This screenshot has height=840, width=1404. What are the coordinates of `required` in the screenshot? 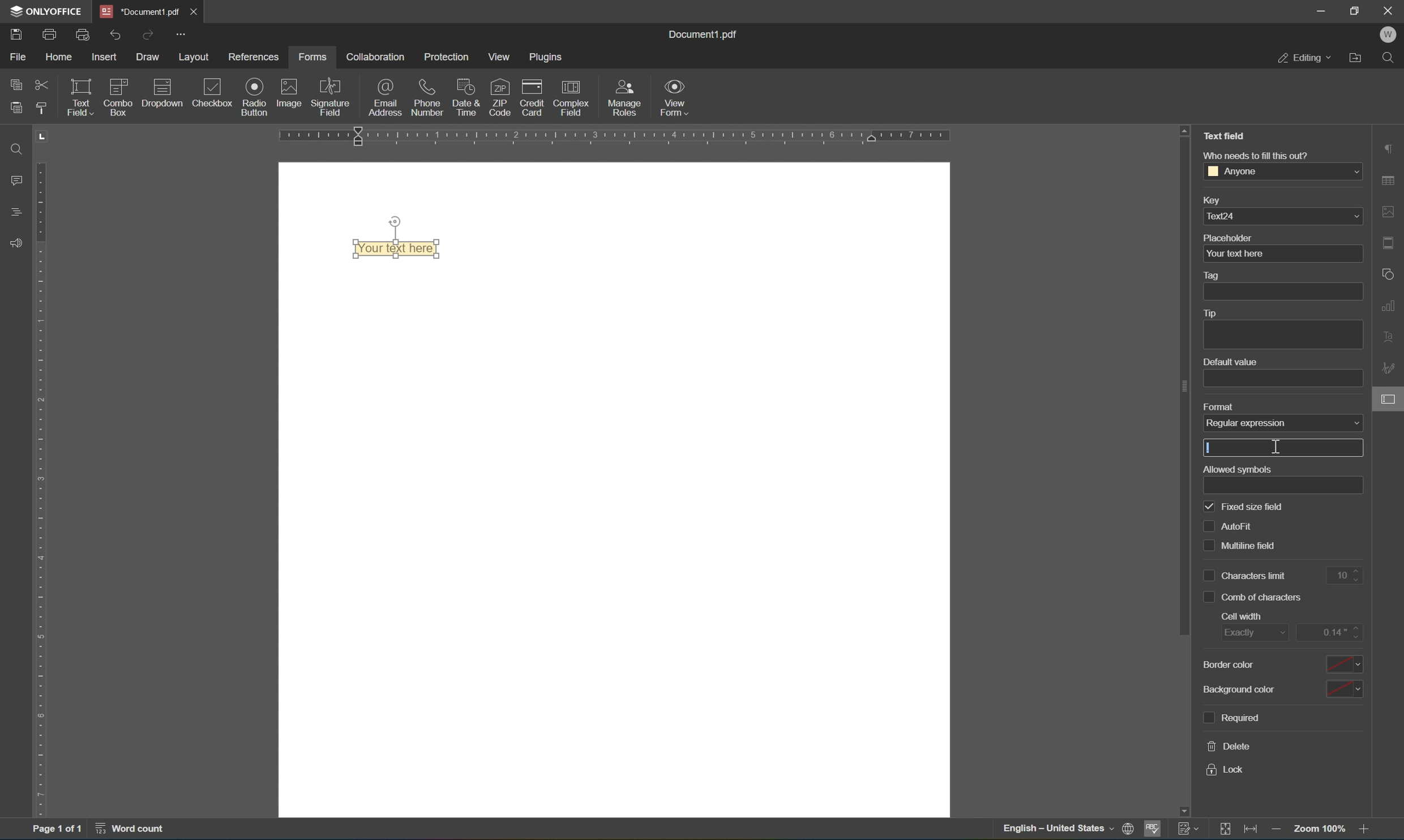 It's located at (1230, 718).